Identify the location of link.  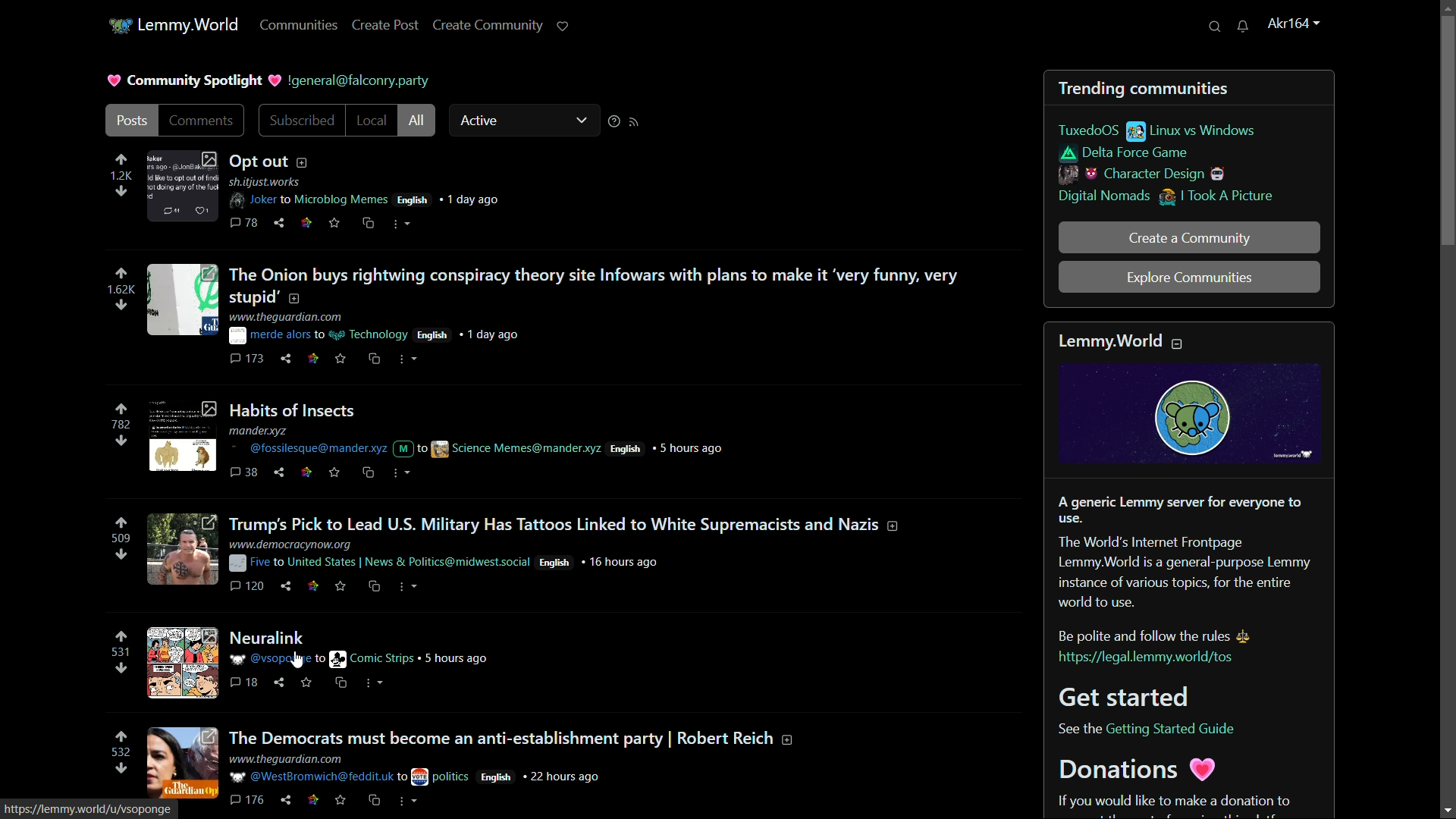
(312, 799).